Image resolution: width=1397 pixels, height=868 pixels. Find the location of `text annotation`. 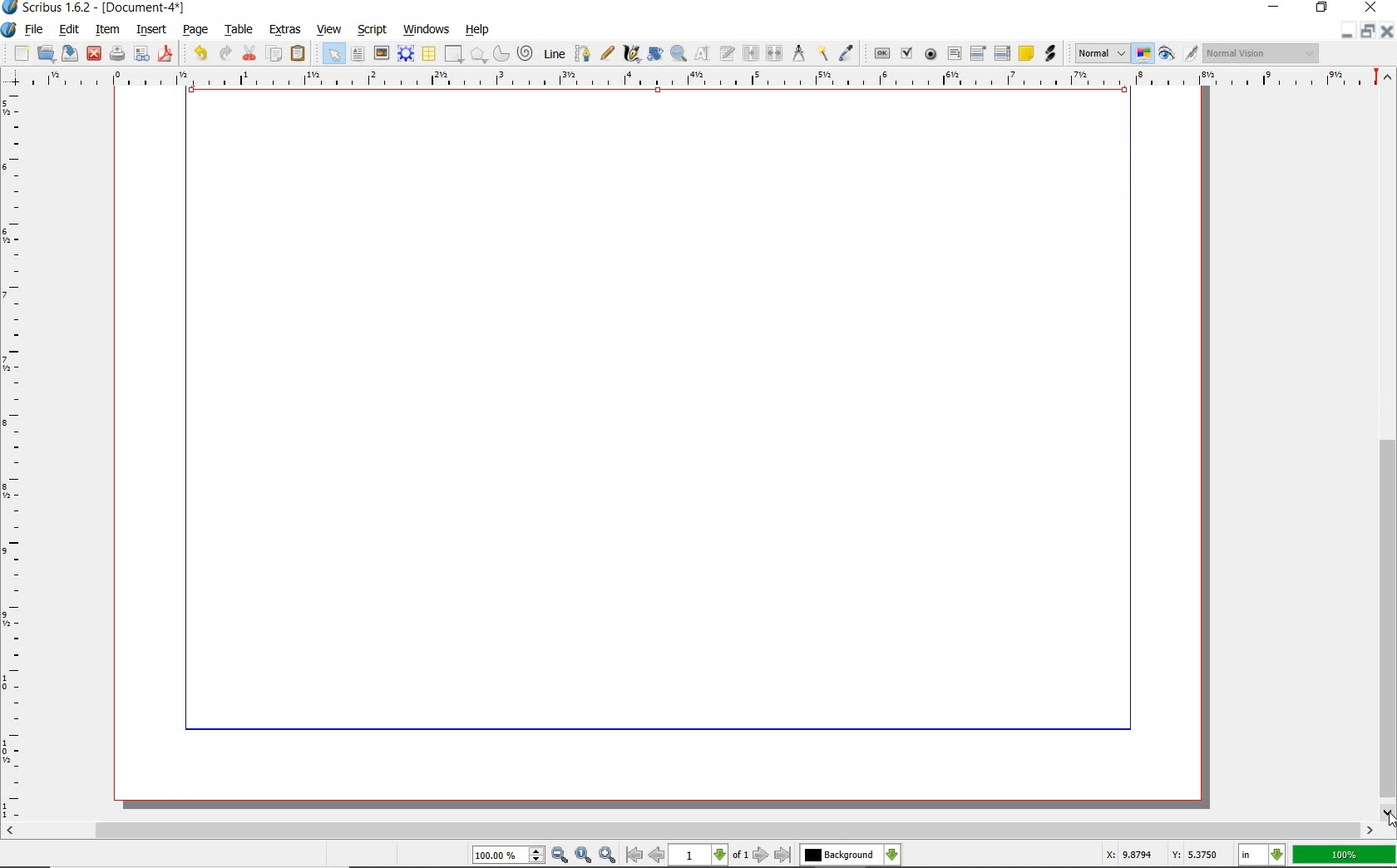

text annotation is located at coordinates (1026, 53).